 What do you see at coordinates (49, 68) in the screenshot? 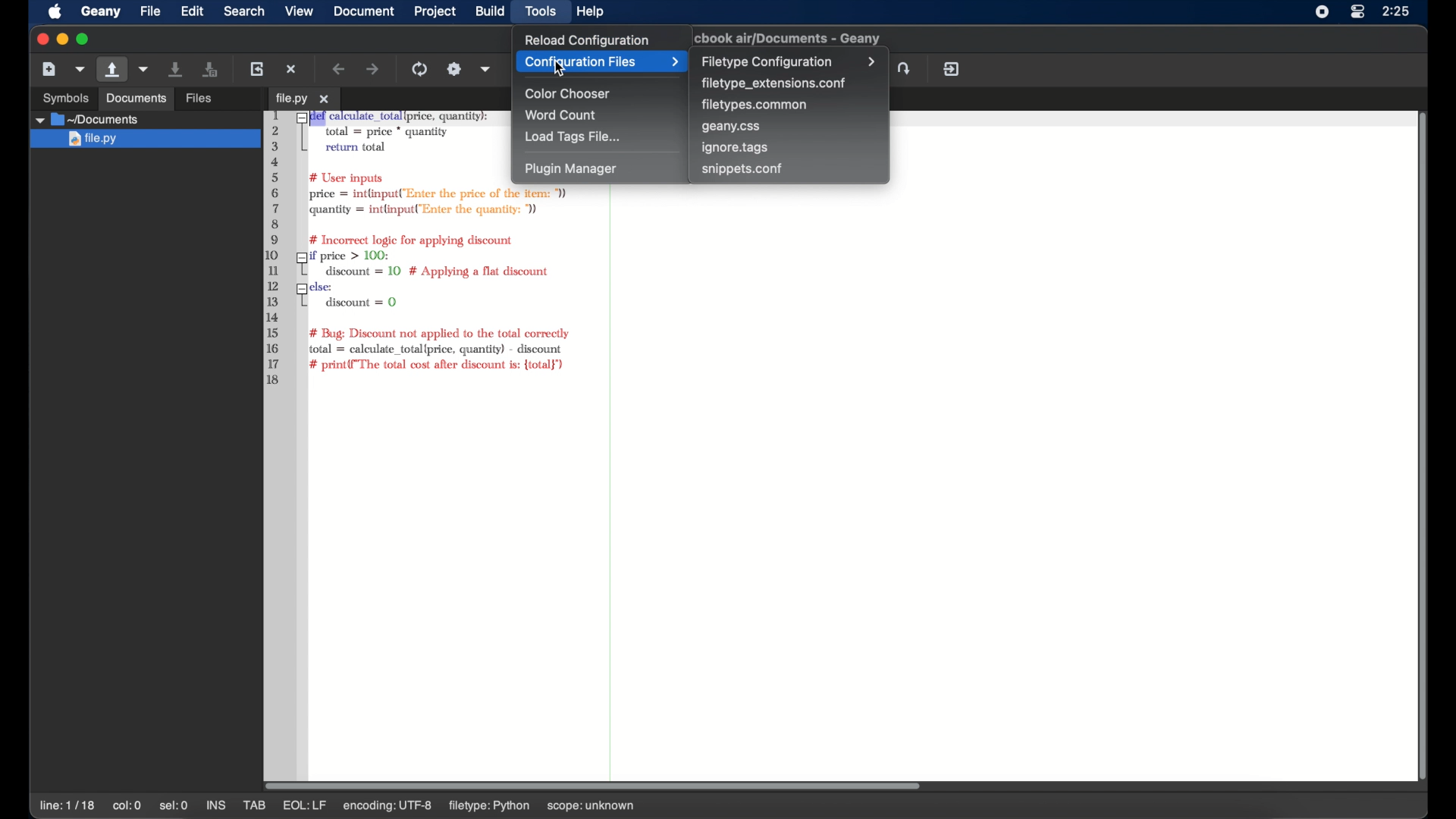
I see `create new` at bounding box center [49, 68].